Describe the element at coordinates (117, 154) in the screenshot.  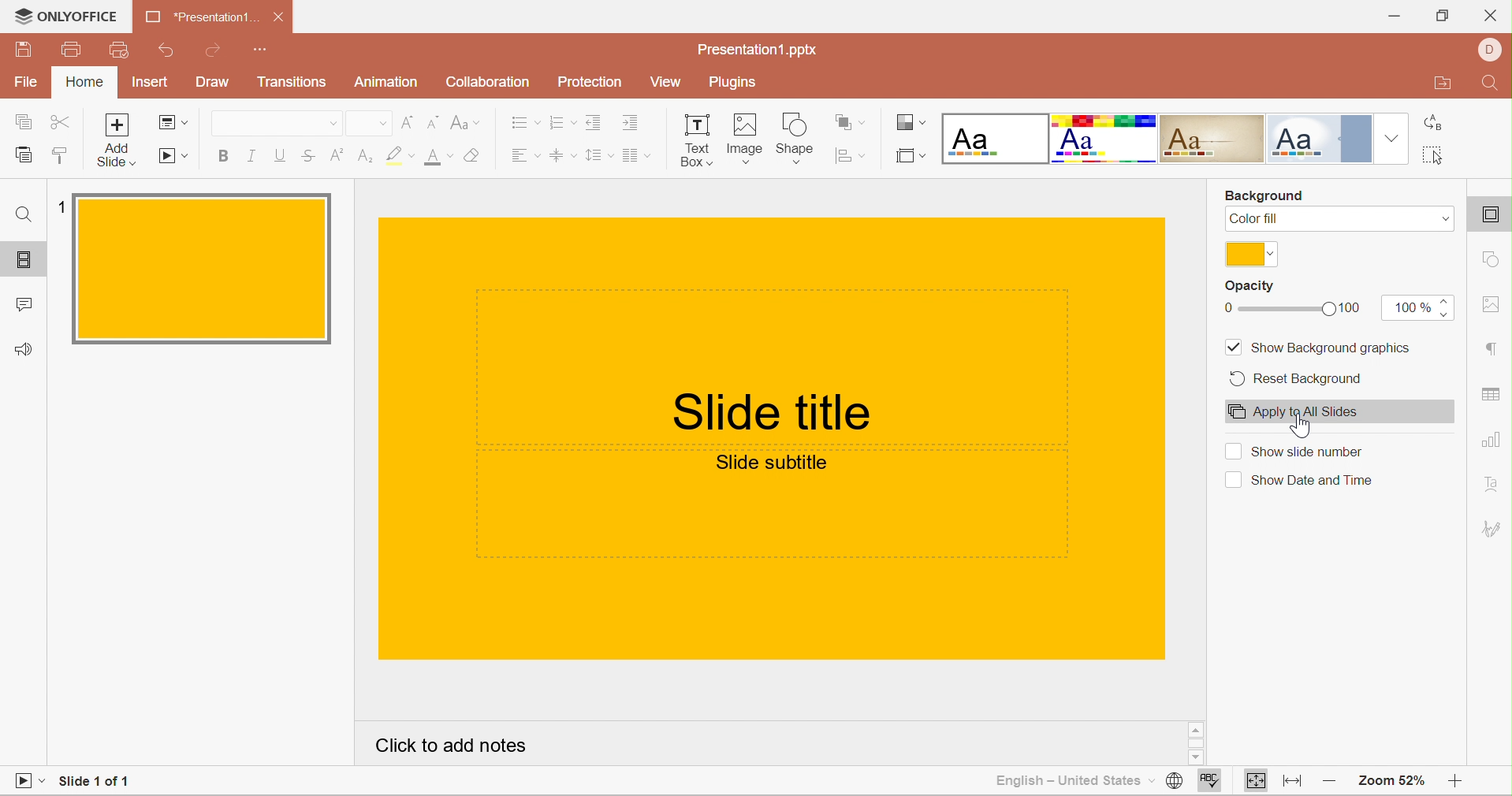
I see `add slide with theme` at that location.